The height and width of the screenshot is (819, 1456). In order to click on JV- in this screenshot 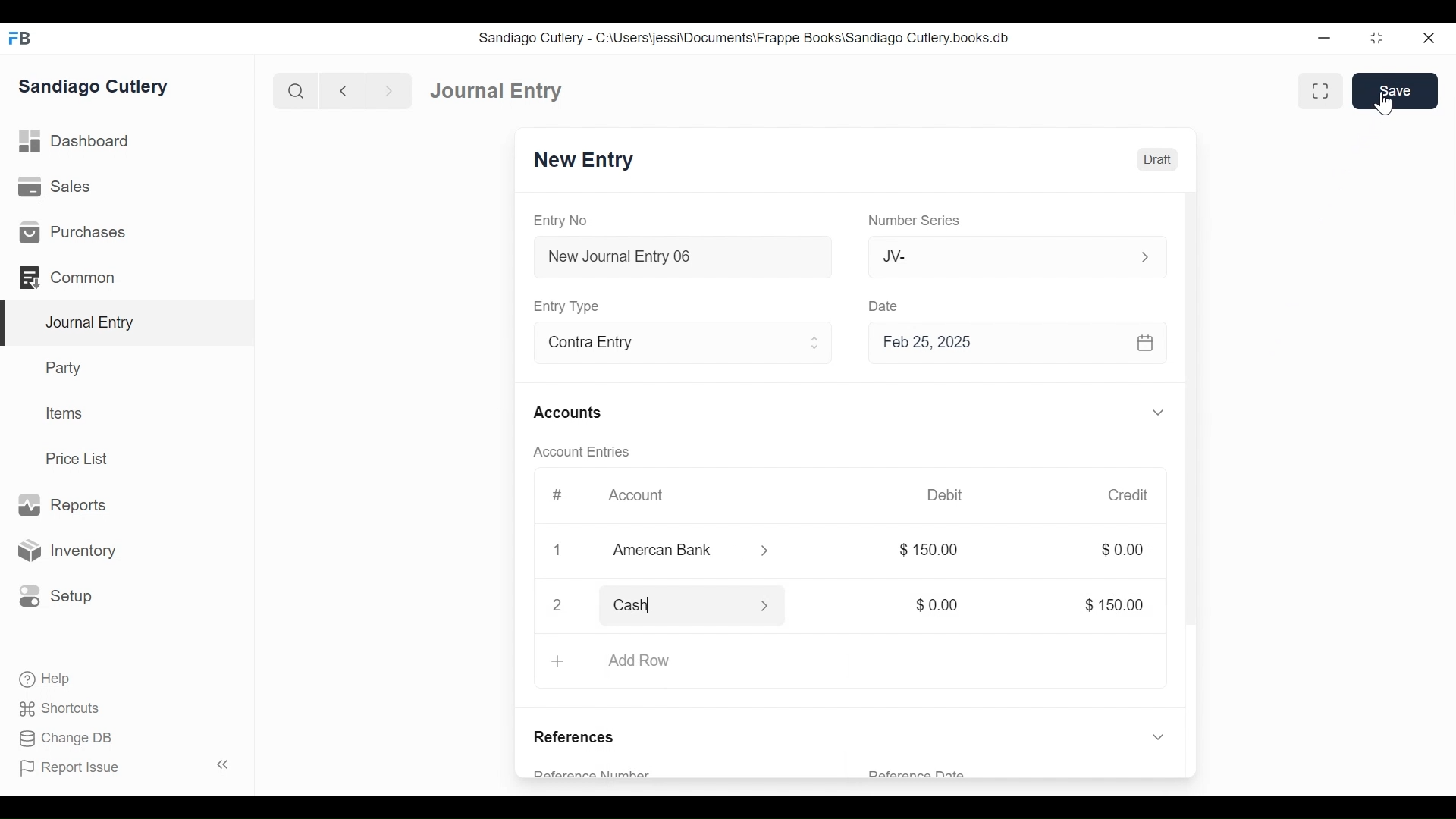, I will do `click(999, 255)`.